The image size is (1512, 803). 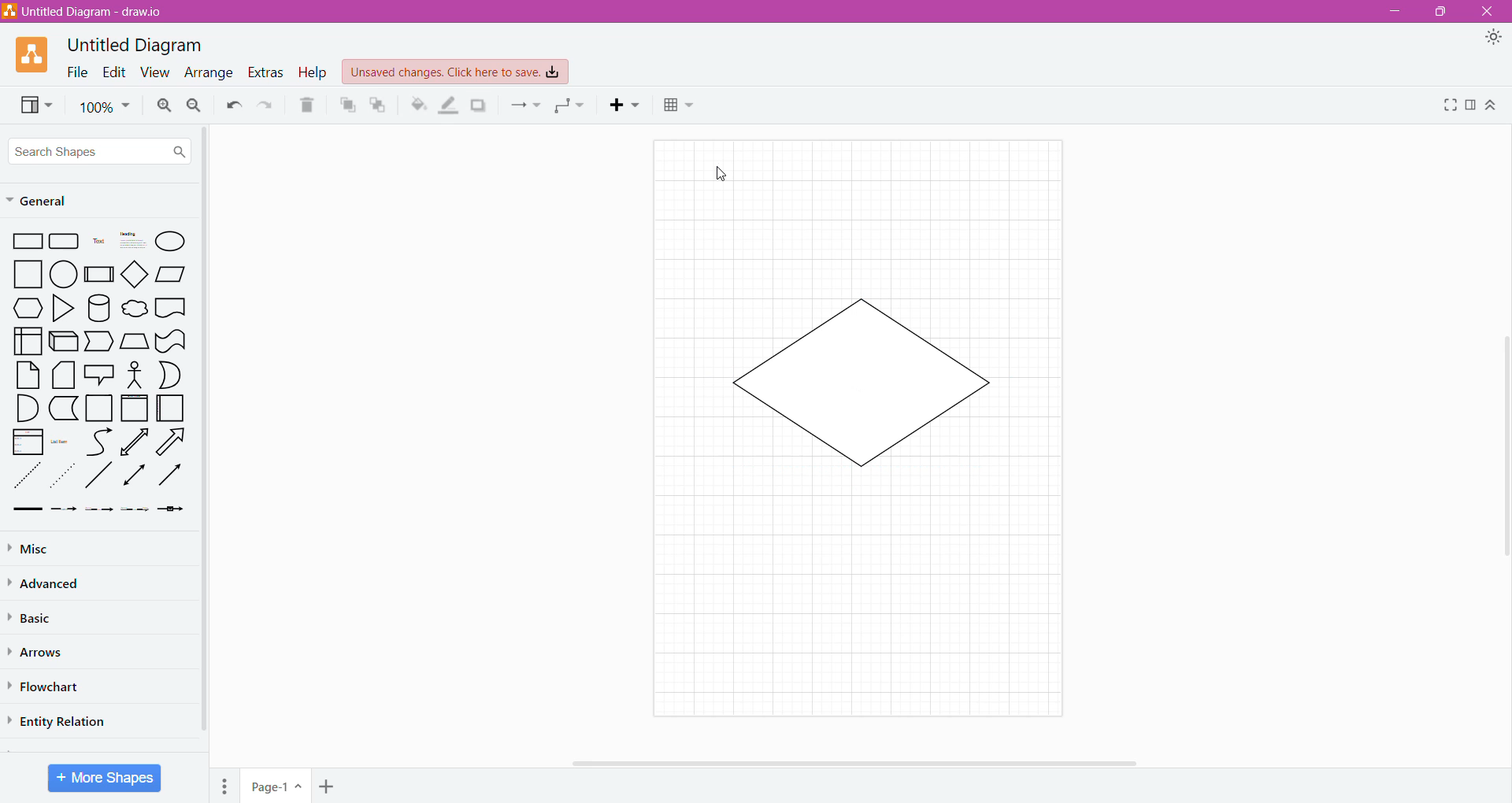 I want to click on Format, so click(x=1470, y=105).